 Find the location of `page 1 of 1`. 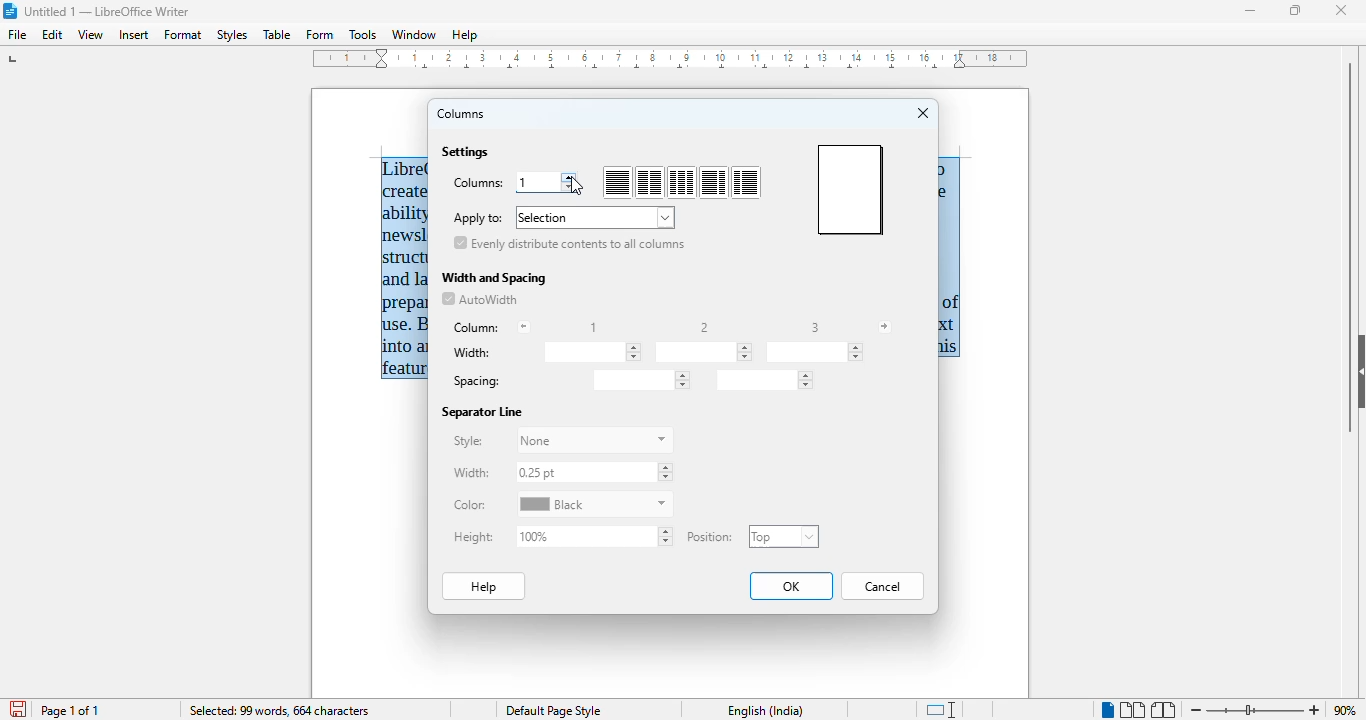

page 1 of 1 is located at coordinates (70, 711).